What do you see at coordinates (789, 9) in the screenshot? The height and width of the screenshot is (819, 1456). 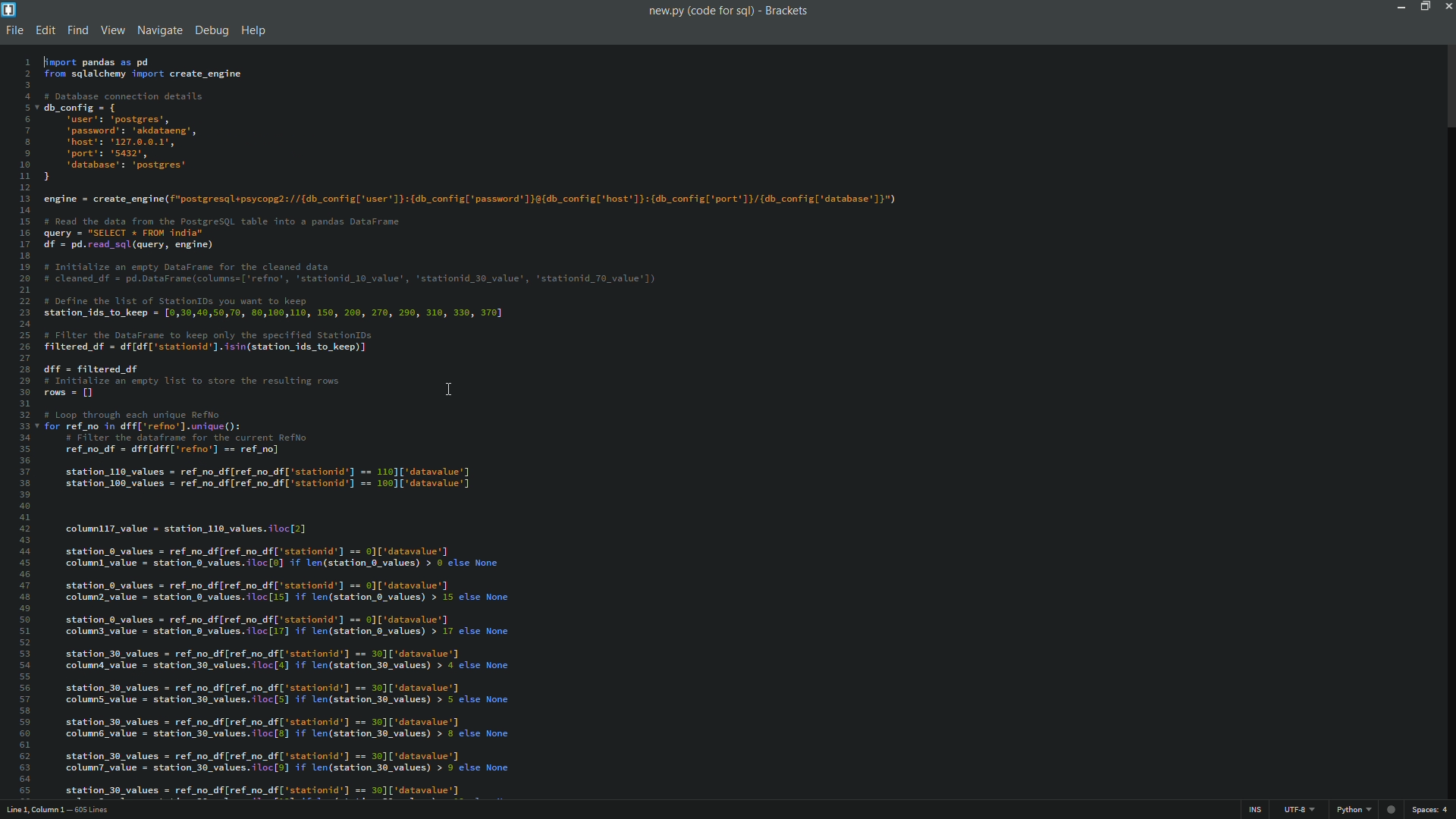 I see `app name` at bounding box center [789, 9].